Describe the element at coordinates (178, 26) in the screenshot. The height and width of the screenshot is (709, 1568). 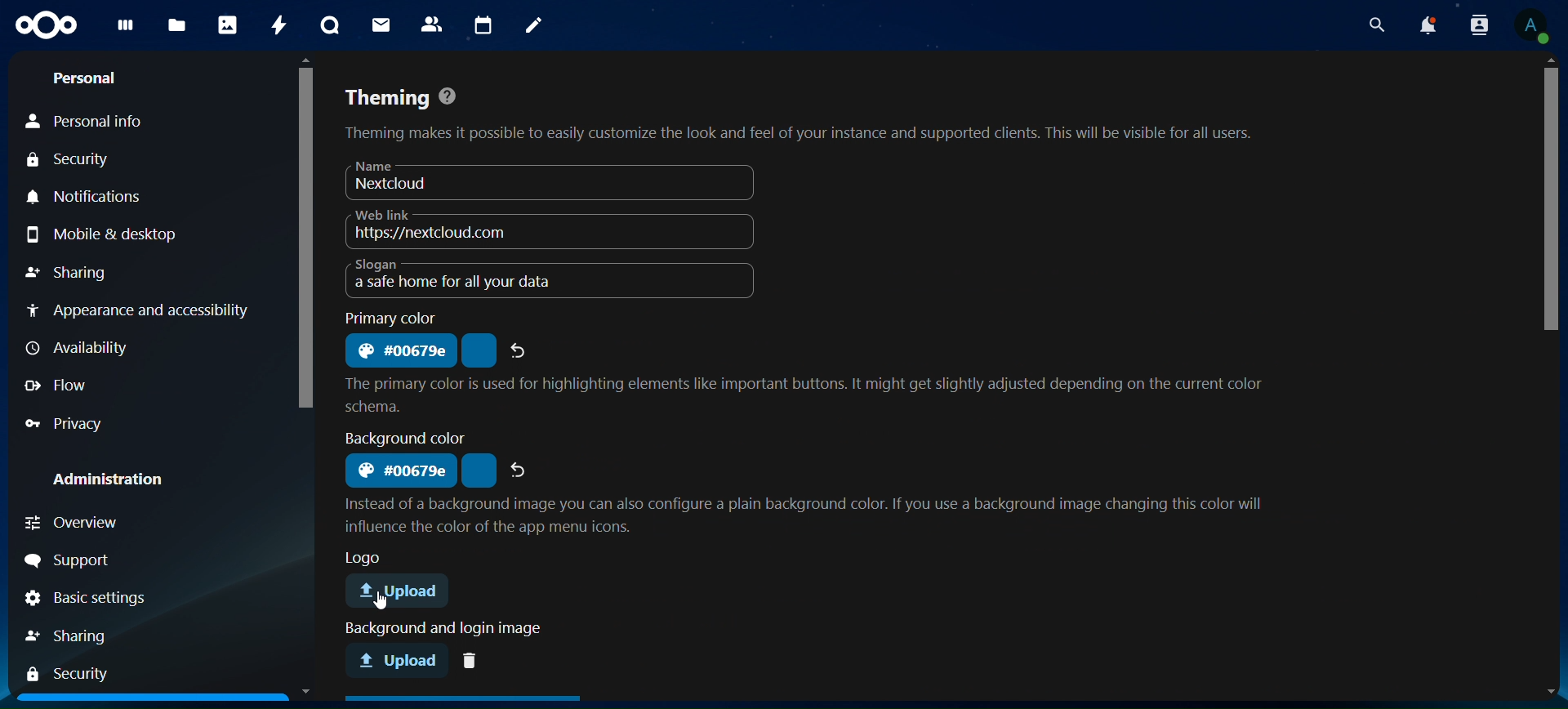
I see `files` at that location.